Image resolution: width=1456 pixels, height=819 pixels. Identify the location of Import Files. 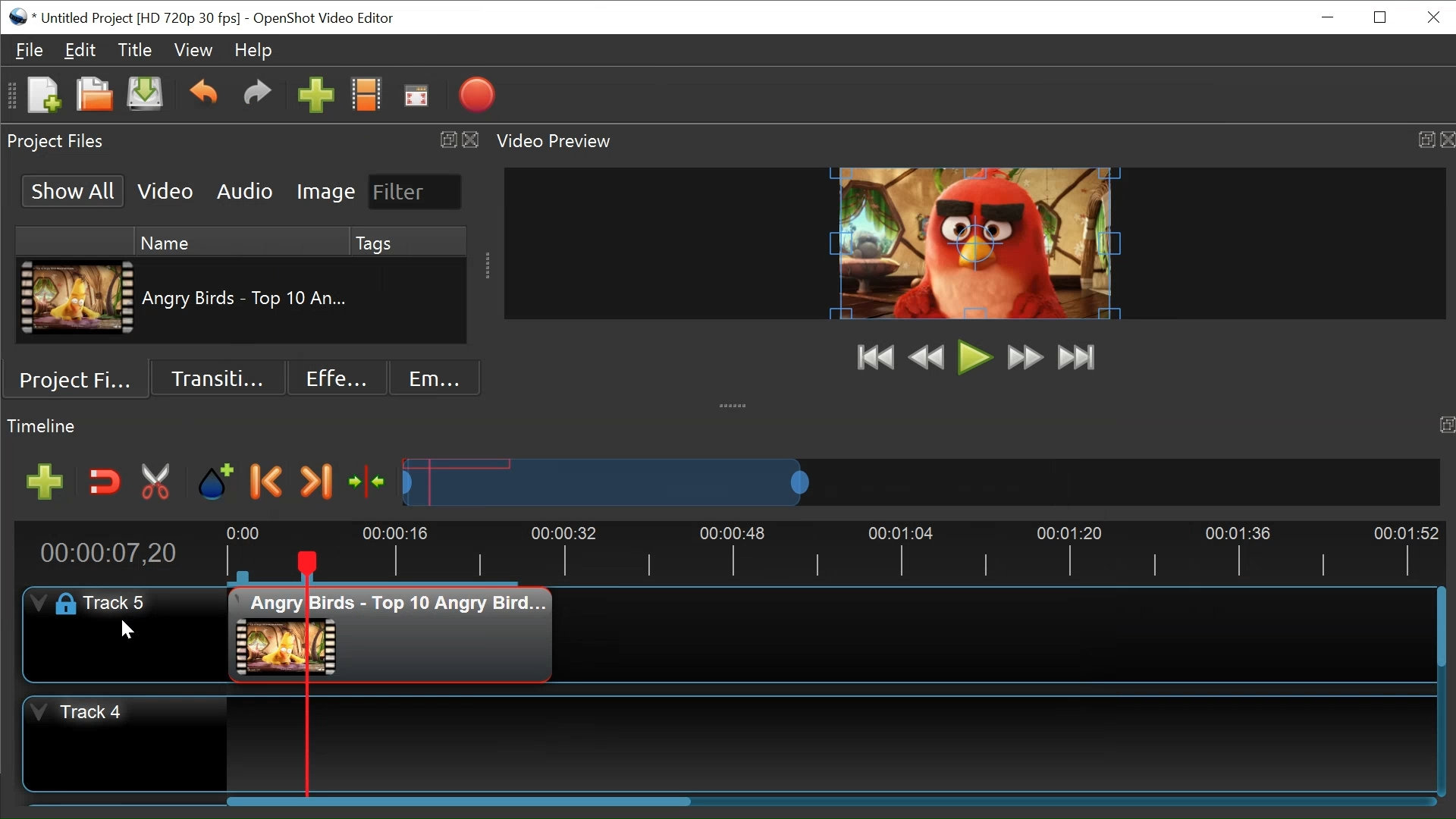
(315, 97).